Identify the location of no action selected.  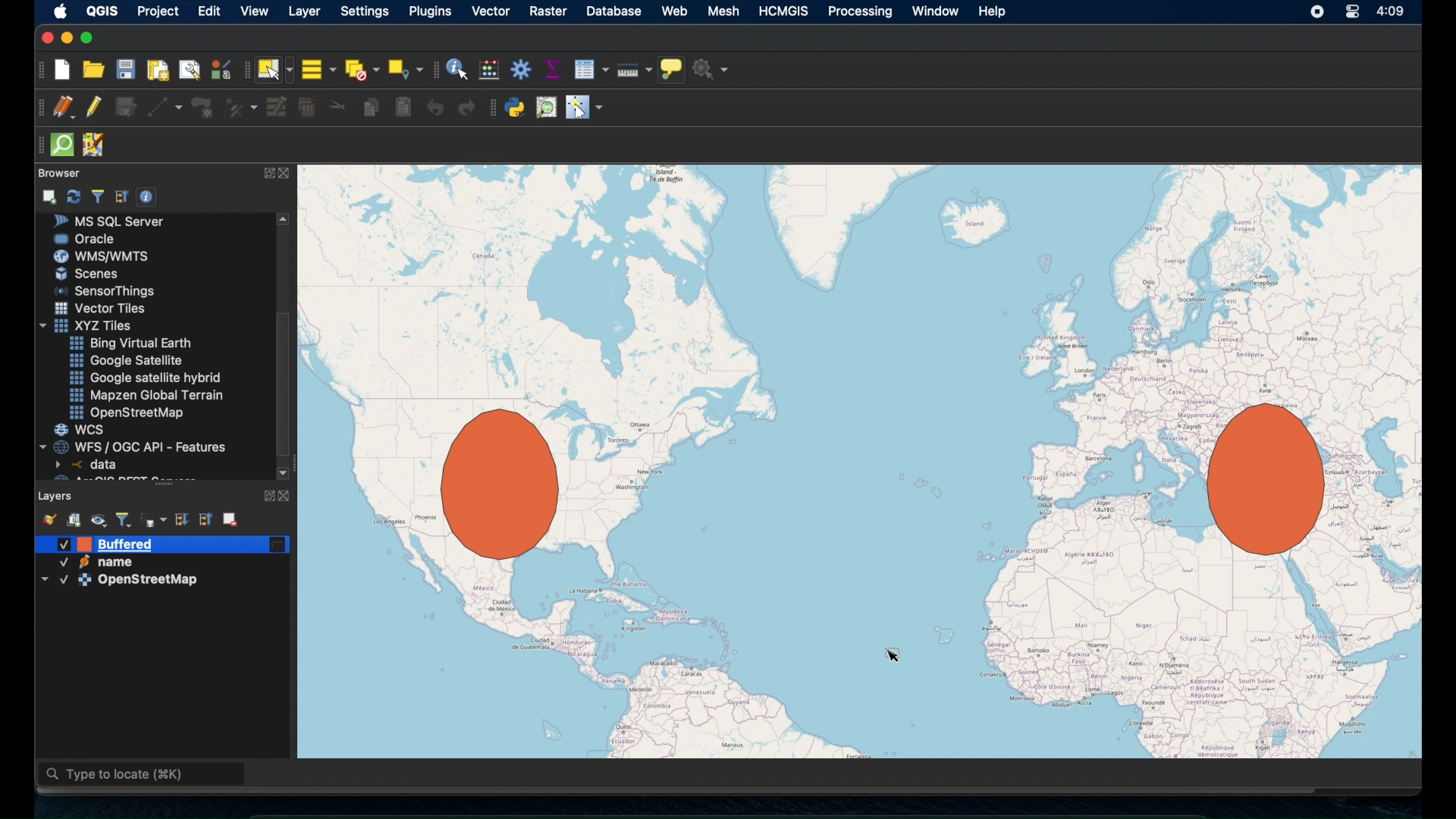
(714, 70).